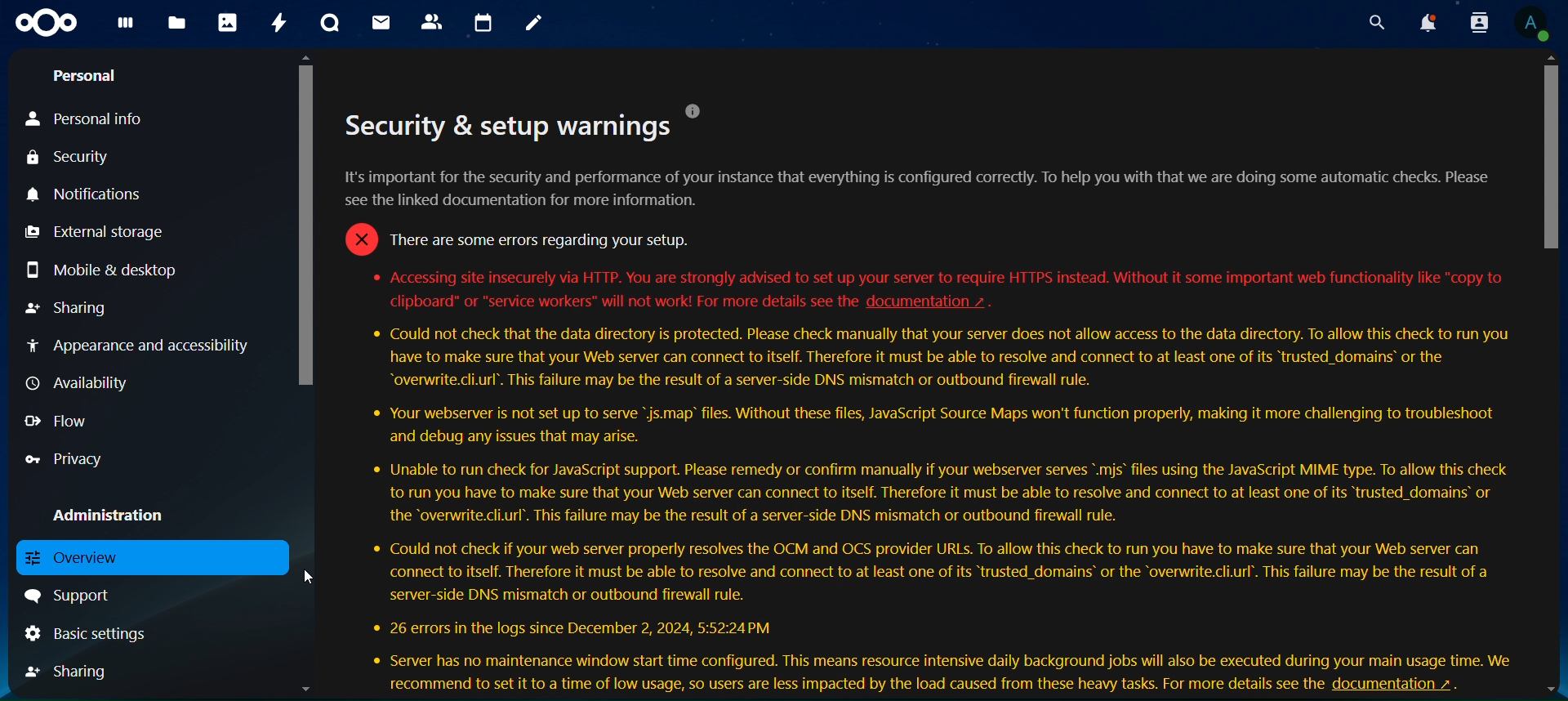 The image size is (1568, 701). I want to click on icon, so click(46, 21).